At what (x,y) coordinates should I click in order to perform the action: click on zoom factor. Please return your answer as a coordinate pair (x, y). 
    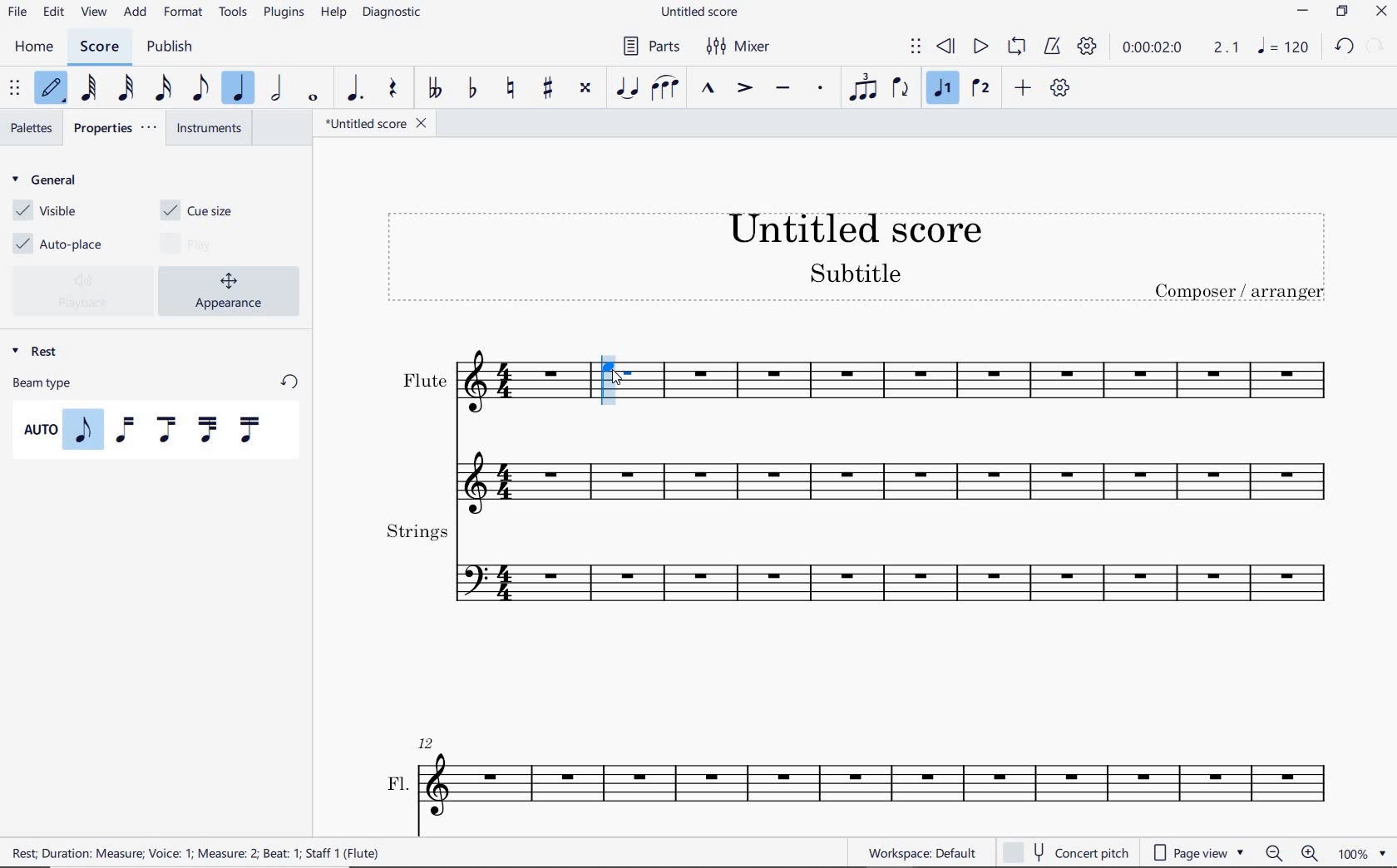
    Looking at the image, I should click on (1360, 852).